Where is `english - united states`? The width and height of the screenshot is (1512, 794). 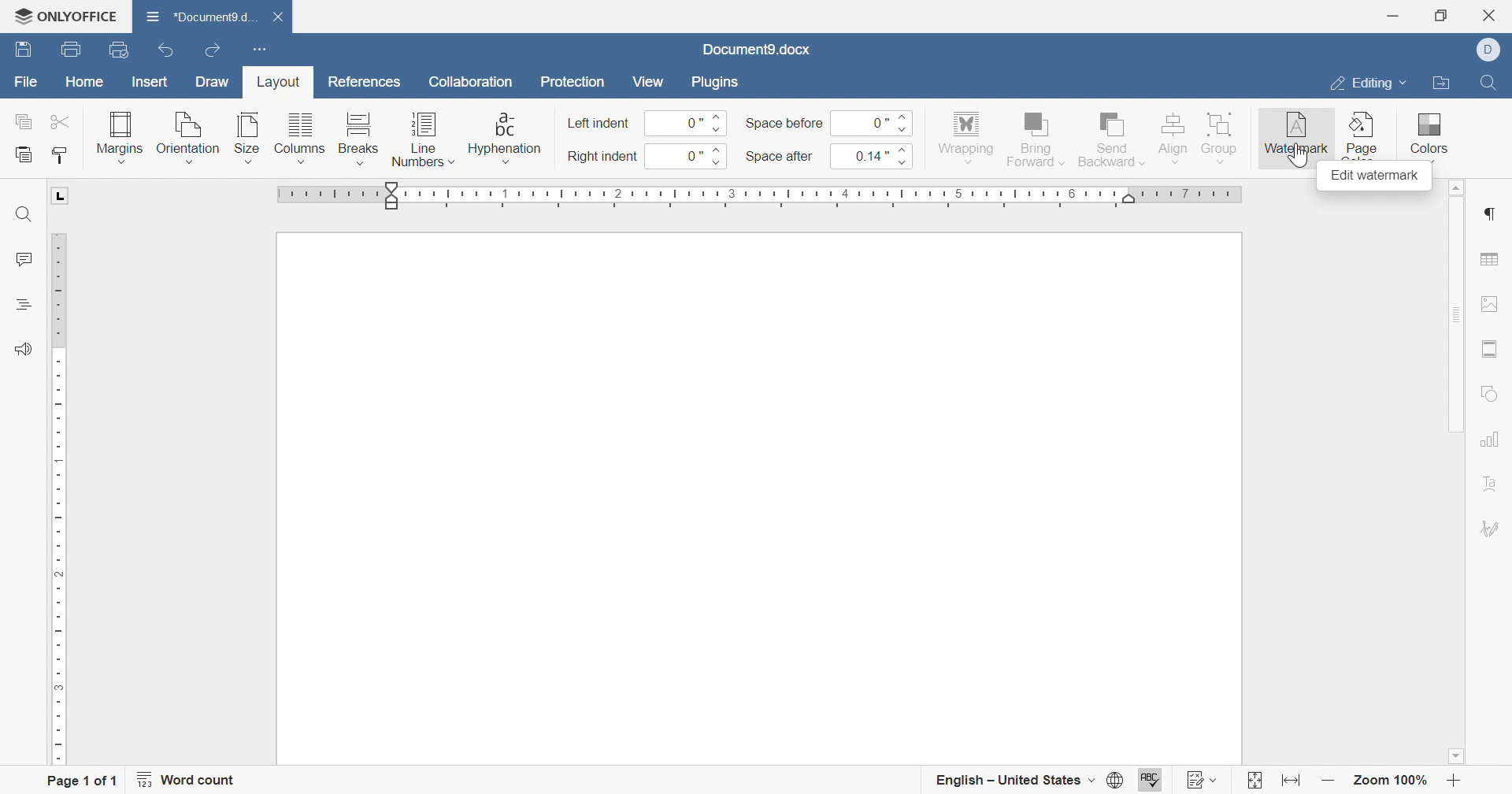 english - united states is located at coordinates (1014, 781).